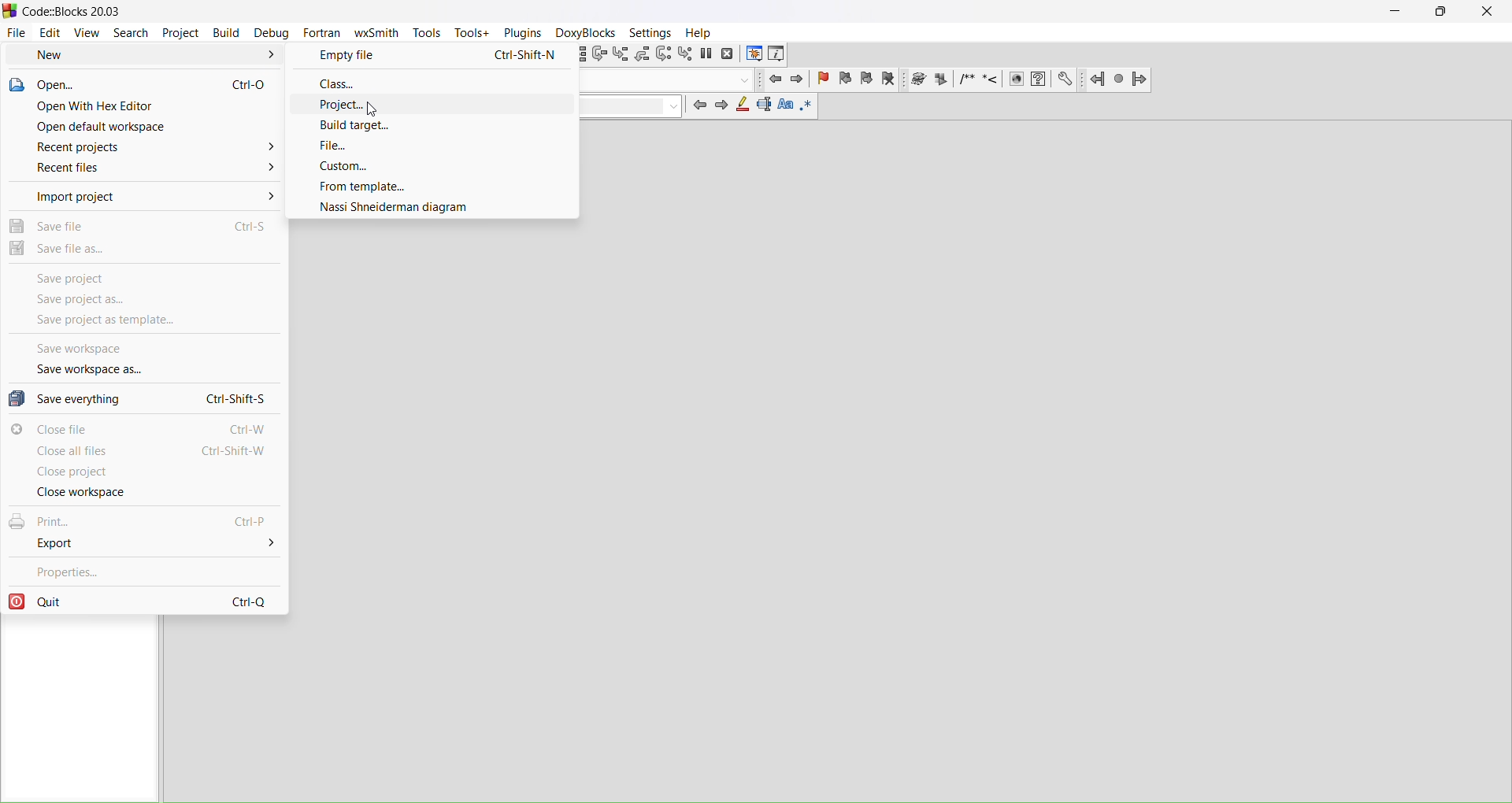  I want to click on cursor, so click(365, 111).